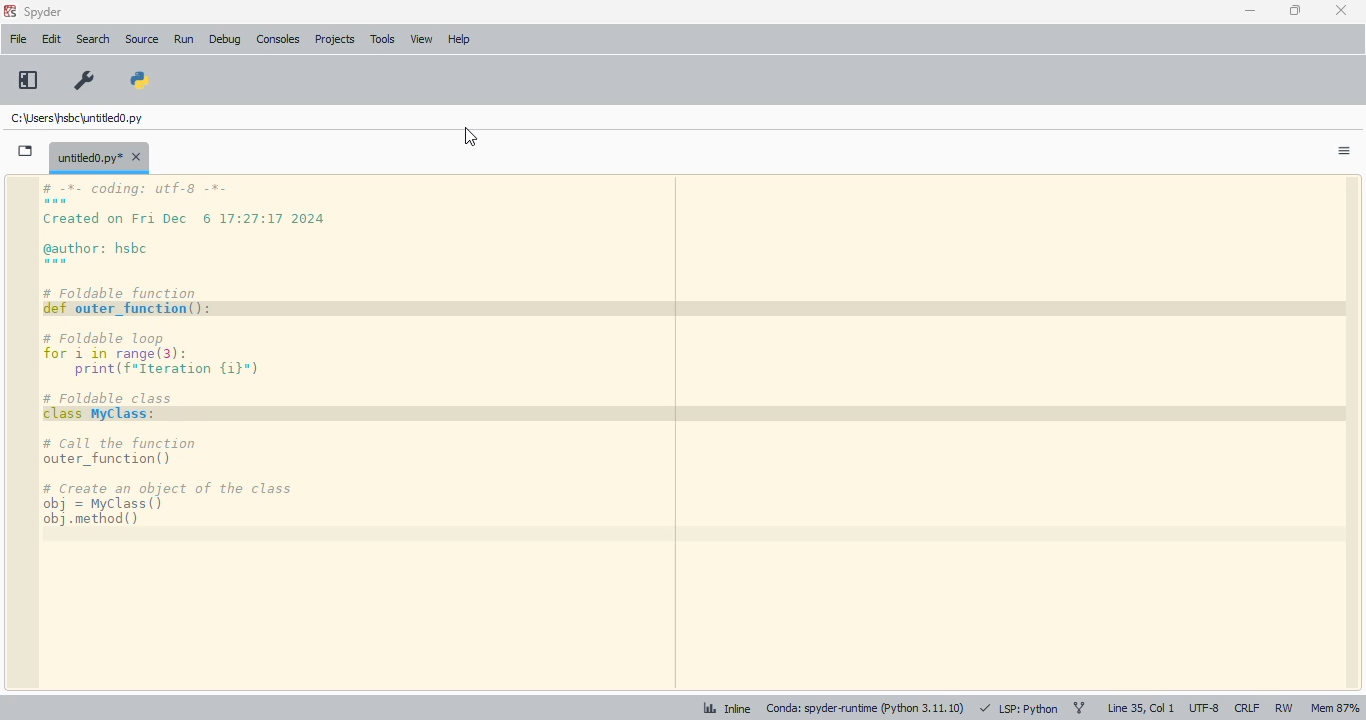 Image resolution: width=1366 pixels, height=720 pixels. What do you see at coordinates (1019, 708) in the screenshot?
I see `LSP: Python` at bounding box center [1019, 708].